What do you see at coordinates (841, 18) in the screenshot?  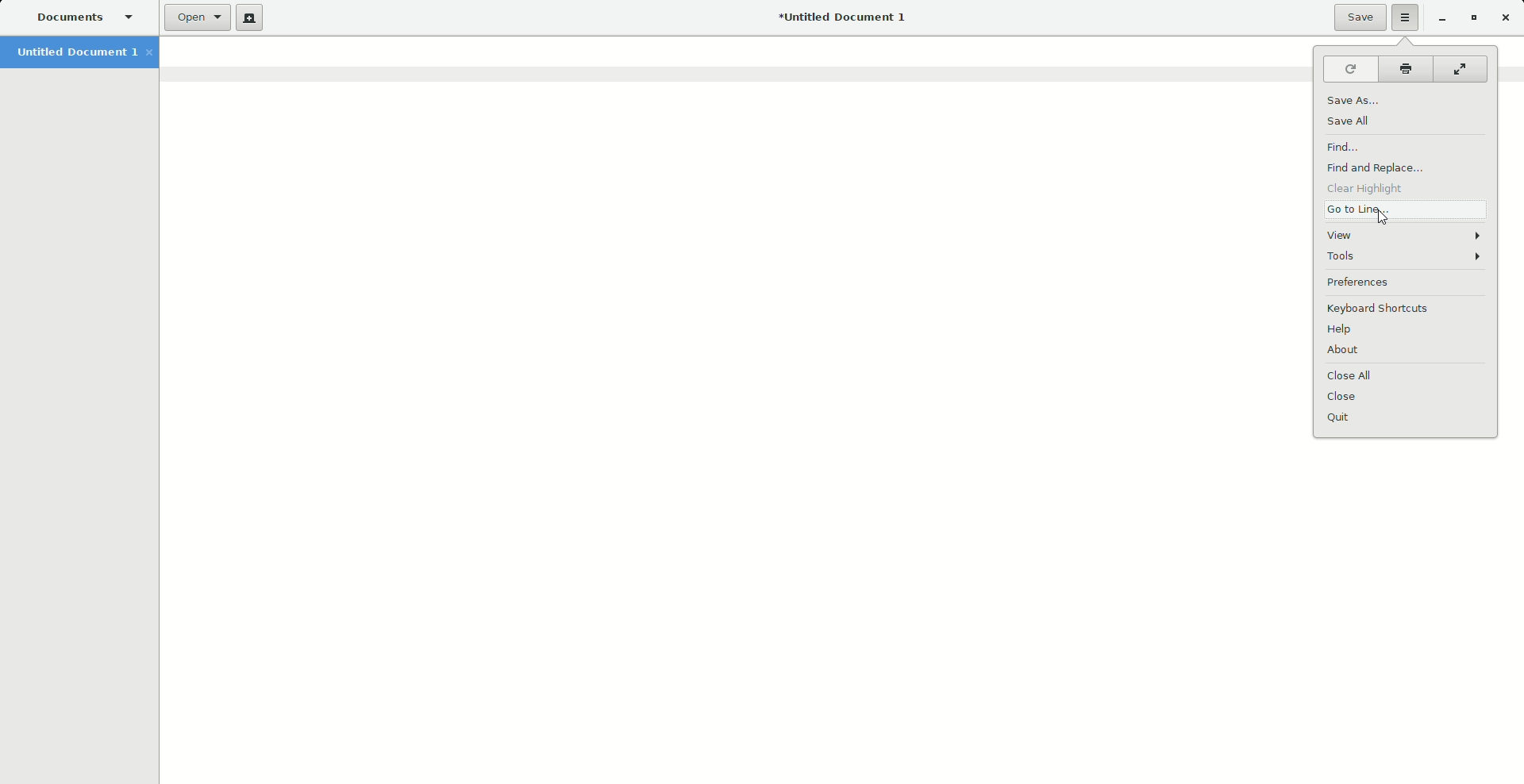 I see `Untitled document` at bounding box center [841, 18].